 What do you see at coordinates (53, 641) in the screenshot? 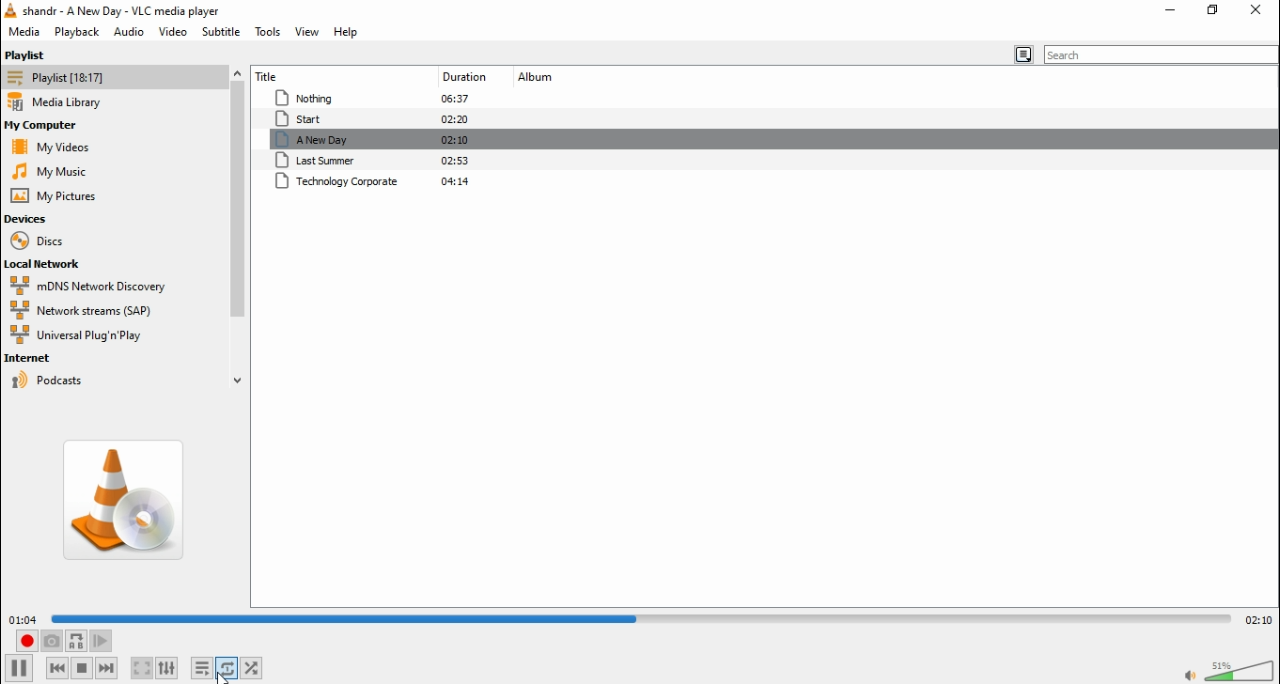
I see `take a snapshot` at bounding box center [53, 641].